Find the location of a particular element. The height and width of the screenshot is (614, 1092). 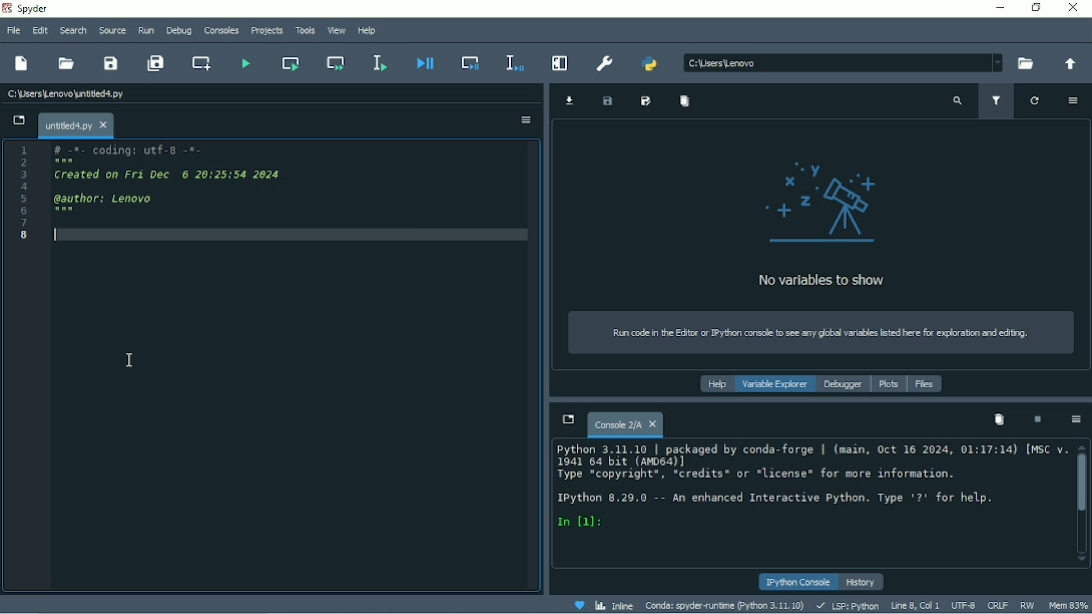

Python 3.11.10 | packaged by conda-forge | (main, Oct 16 2024,
01:17:14) (WSC v.1941 64 bat (WD64)]

Type “copyright®., “credits* or *license® for wore information.
Ipython 8.29.0 —- An enhanced Interactive Python. Type *7* for help.
In (a): is located at coordinates (805, 493).